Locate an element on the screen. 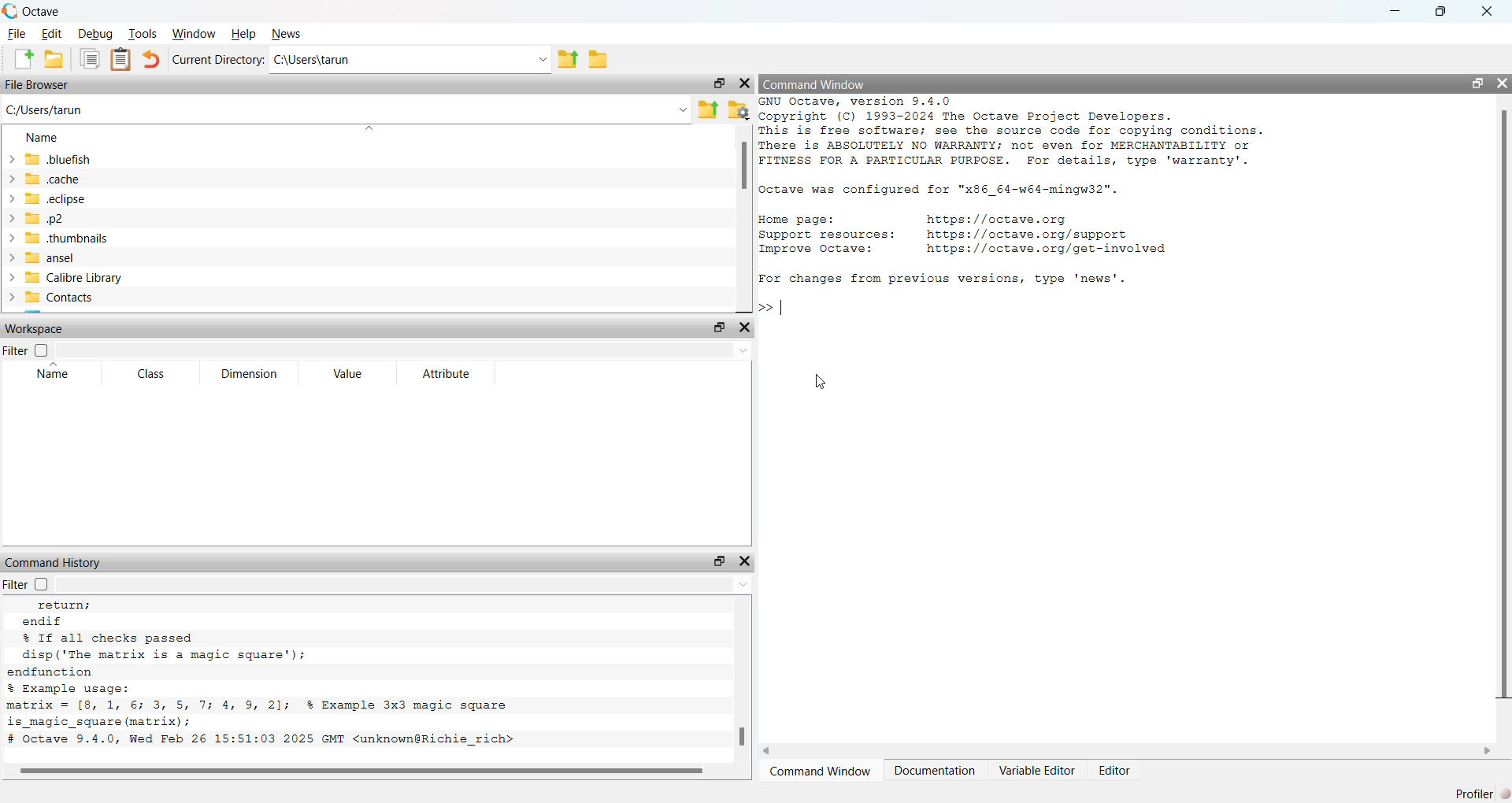  Undo is located at coordinates (151, 59).